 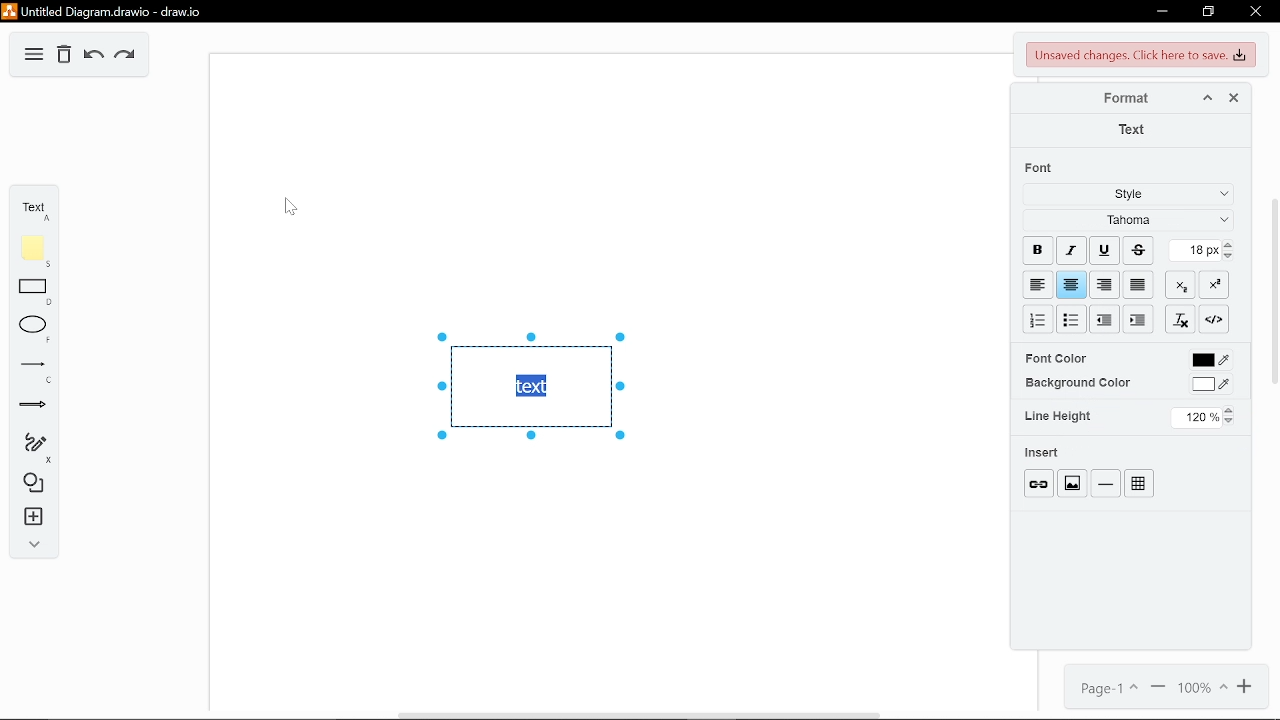 I want to click on page, so click(x=1105, y=686).